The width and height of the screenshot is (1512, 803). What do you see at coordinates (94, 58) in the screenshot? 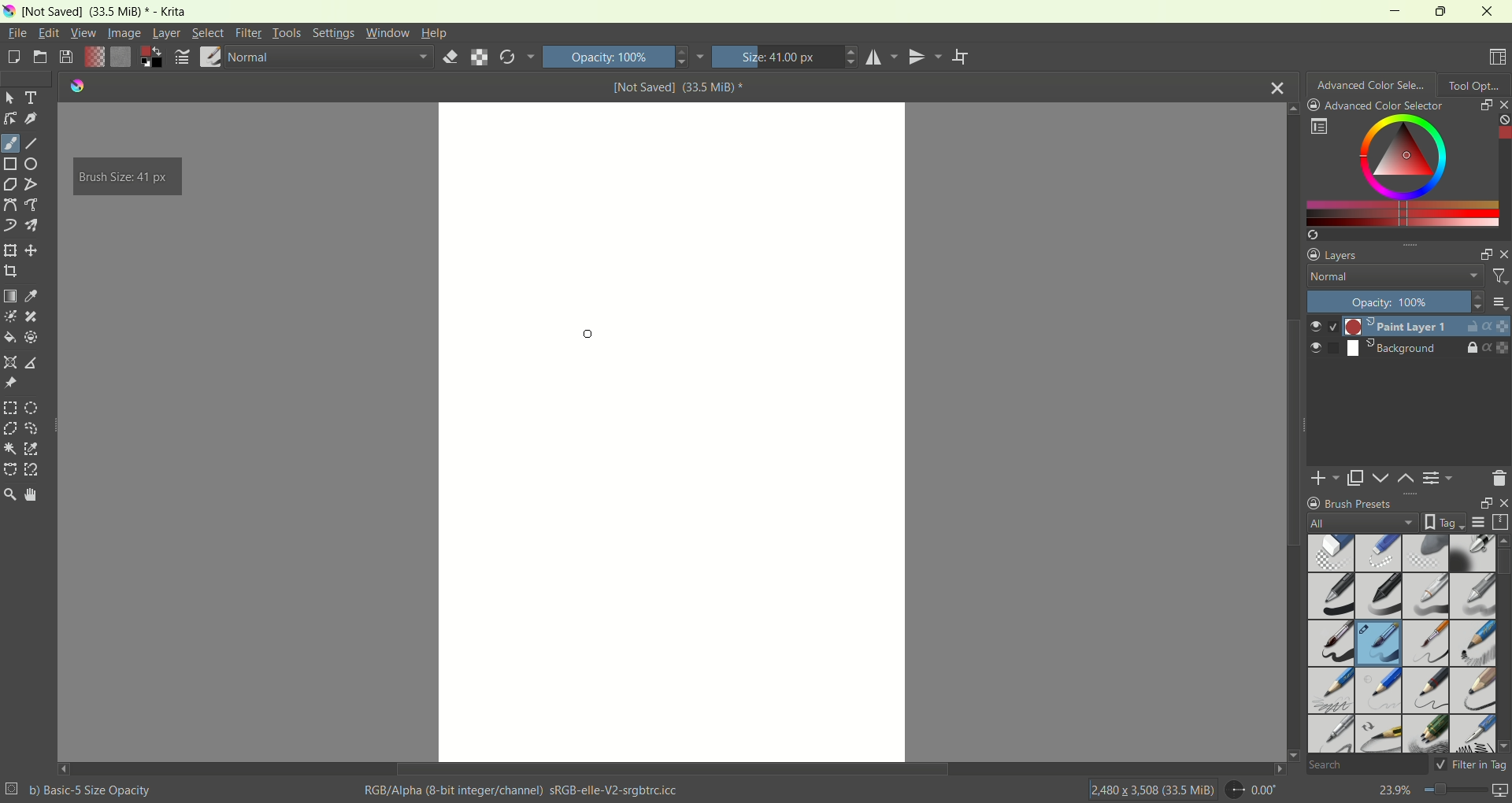
I see `fill gradient` at bounding box center [94, 58].